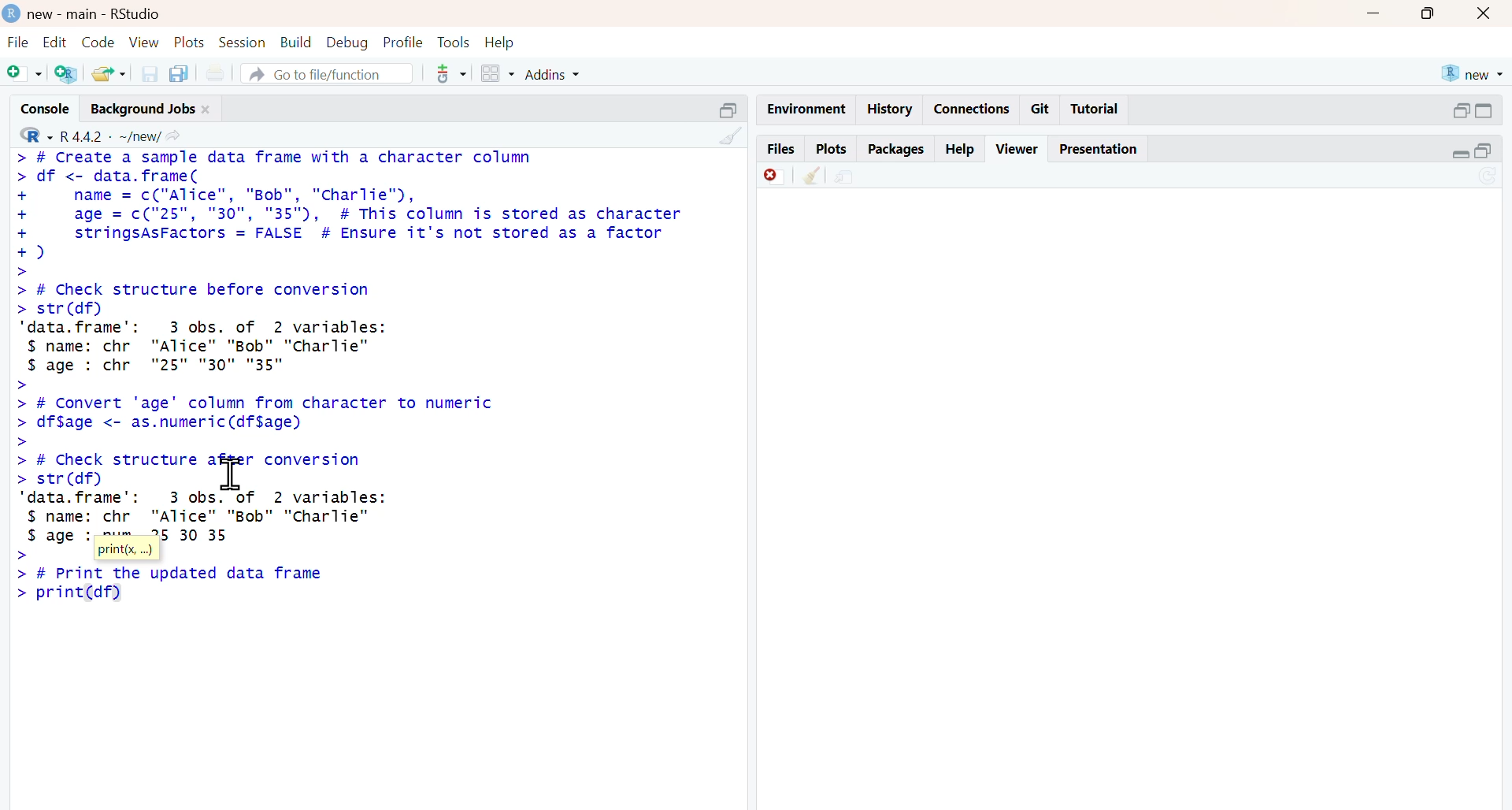 The image size is (1512, 810). What do you see at coordinates (143, 110) in the screenshot?
I see `background jobs` at bounding box center [143, 110].